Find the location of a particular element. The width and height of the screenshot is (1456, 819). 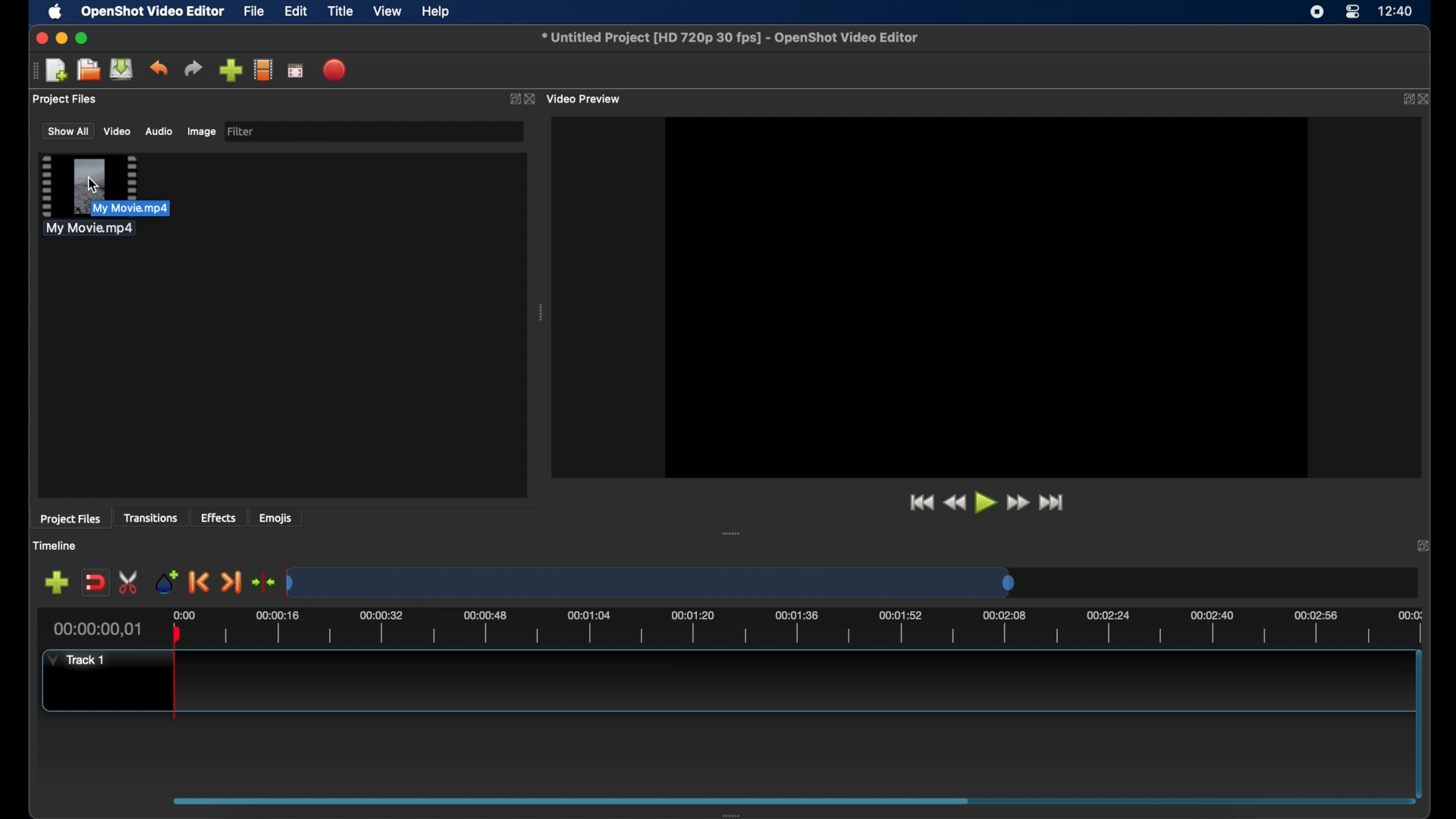

jump to start is located at coordinates (1053, 502).